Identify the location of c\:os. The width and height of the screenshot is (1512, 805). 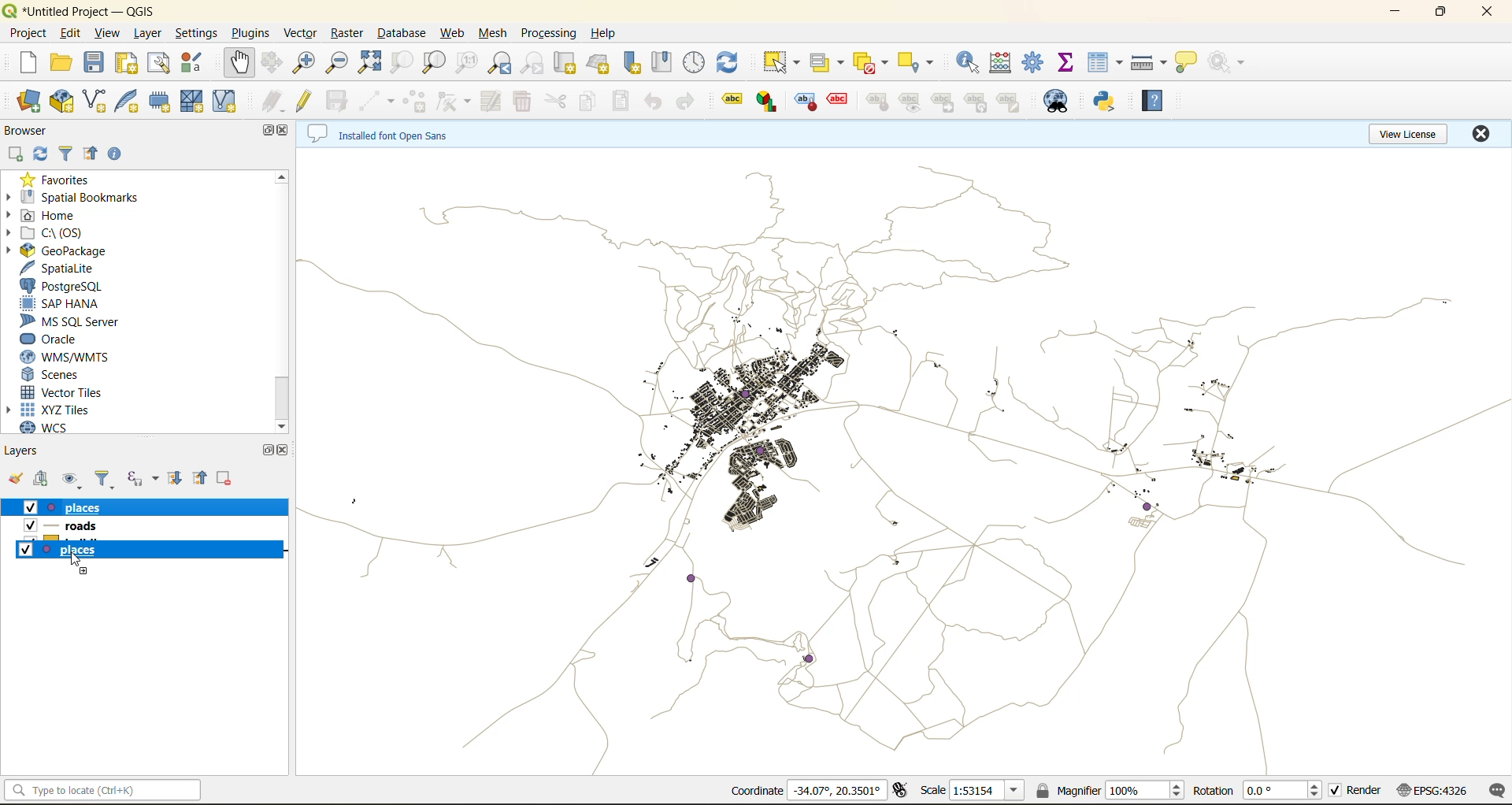
(66, 231).